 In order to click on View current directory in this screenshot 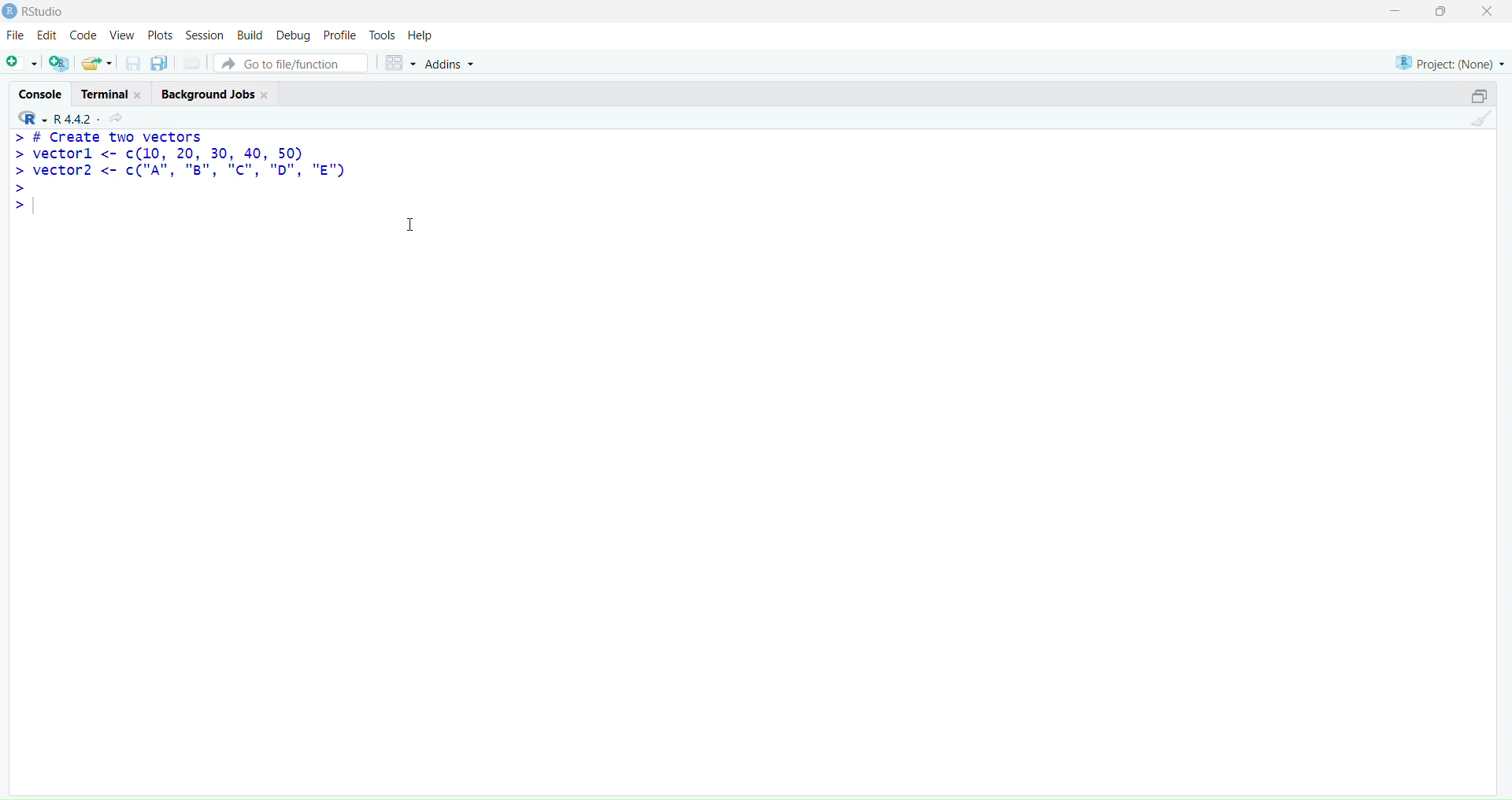, I will do `click(118, 119)`.